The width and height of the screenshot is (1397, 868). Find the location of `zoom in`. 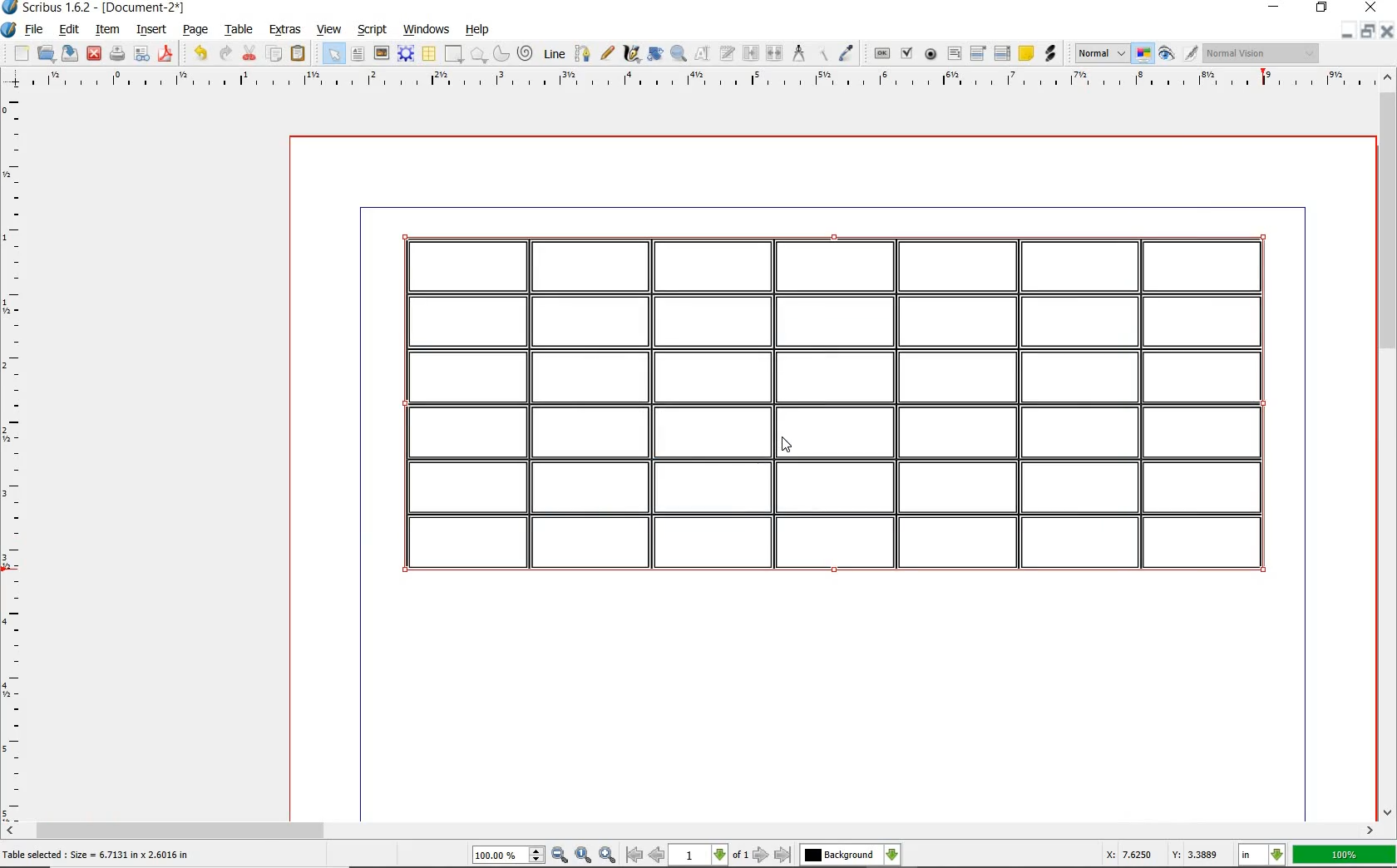

zoom in is located at coordinates (606, 856).